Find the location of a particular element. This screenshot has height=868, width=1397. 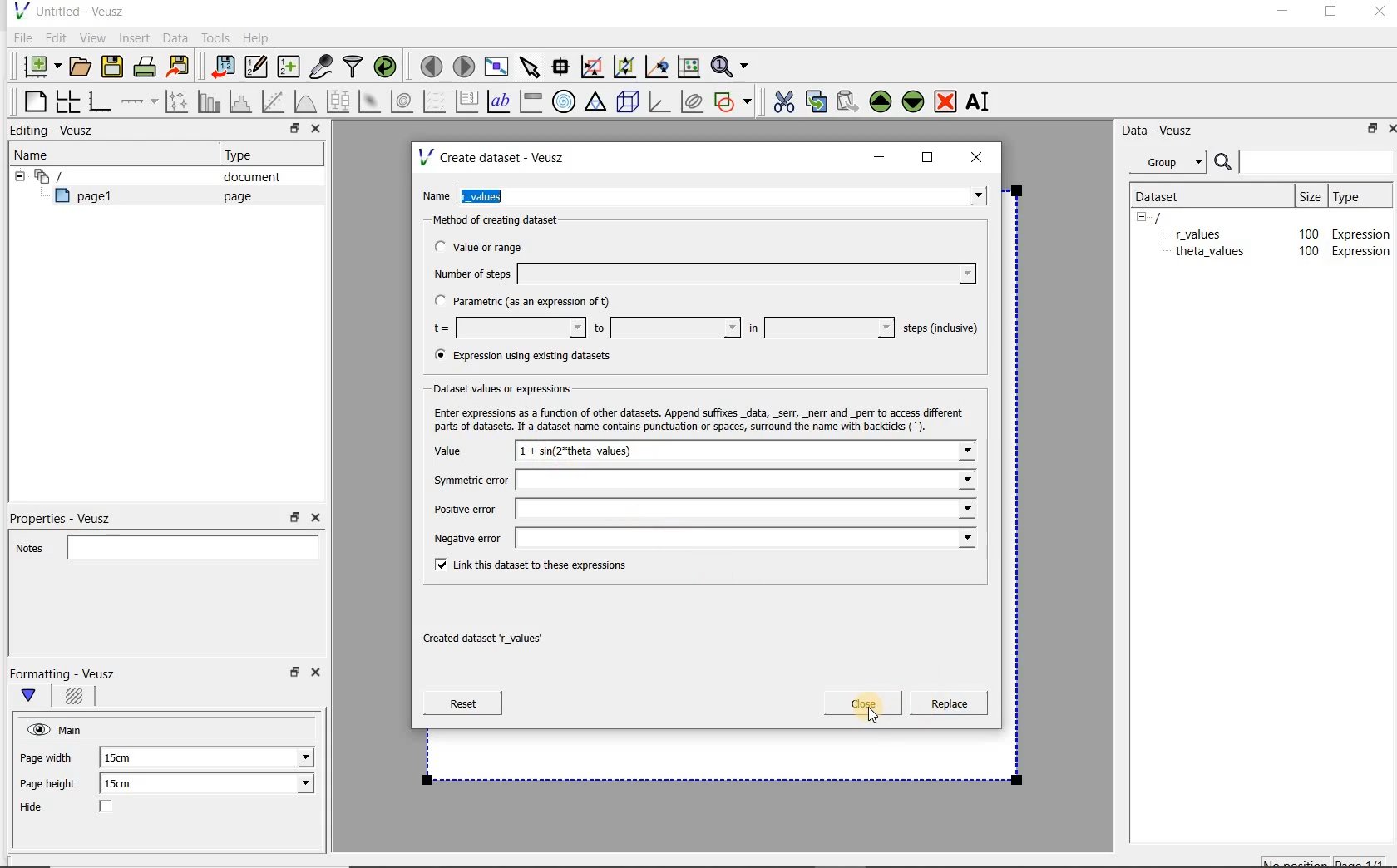

Type is located at coordinates (1358, 195).